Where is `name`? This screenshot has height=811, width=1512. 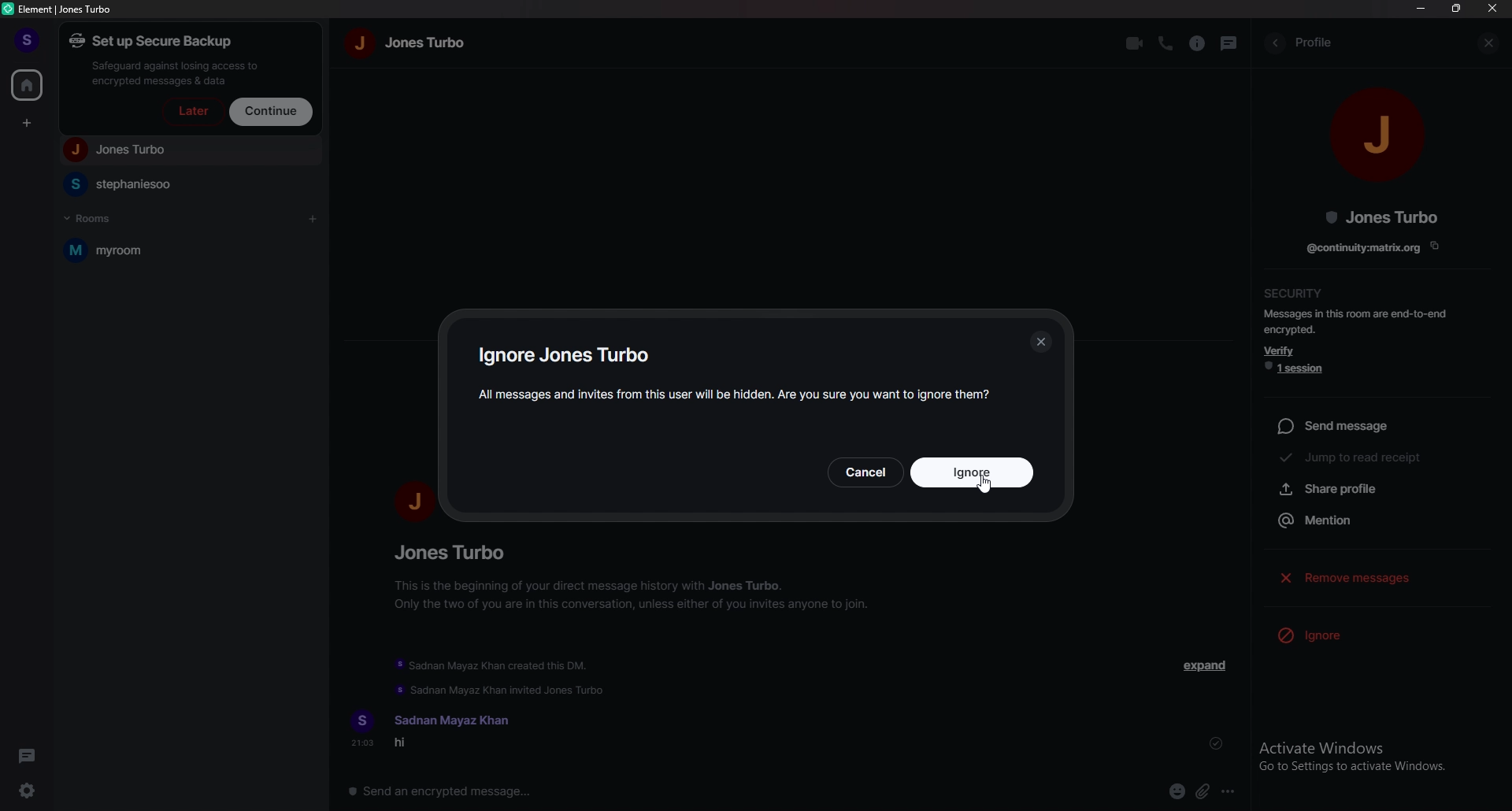 name is located at coordinates (409, 42).